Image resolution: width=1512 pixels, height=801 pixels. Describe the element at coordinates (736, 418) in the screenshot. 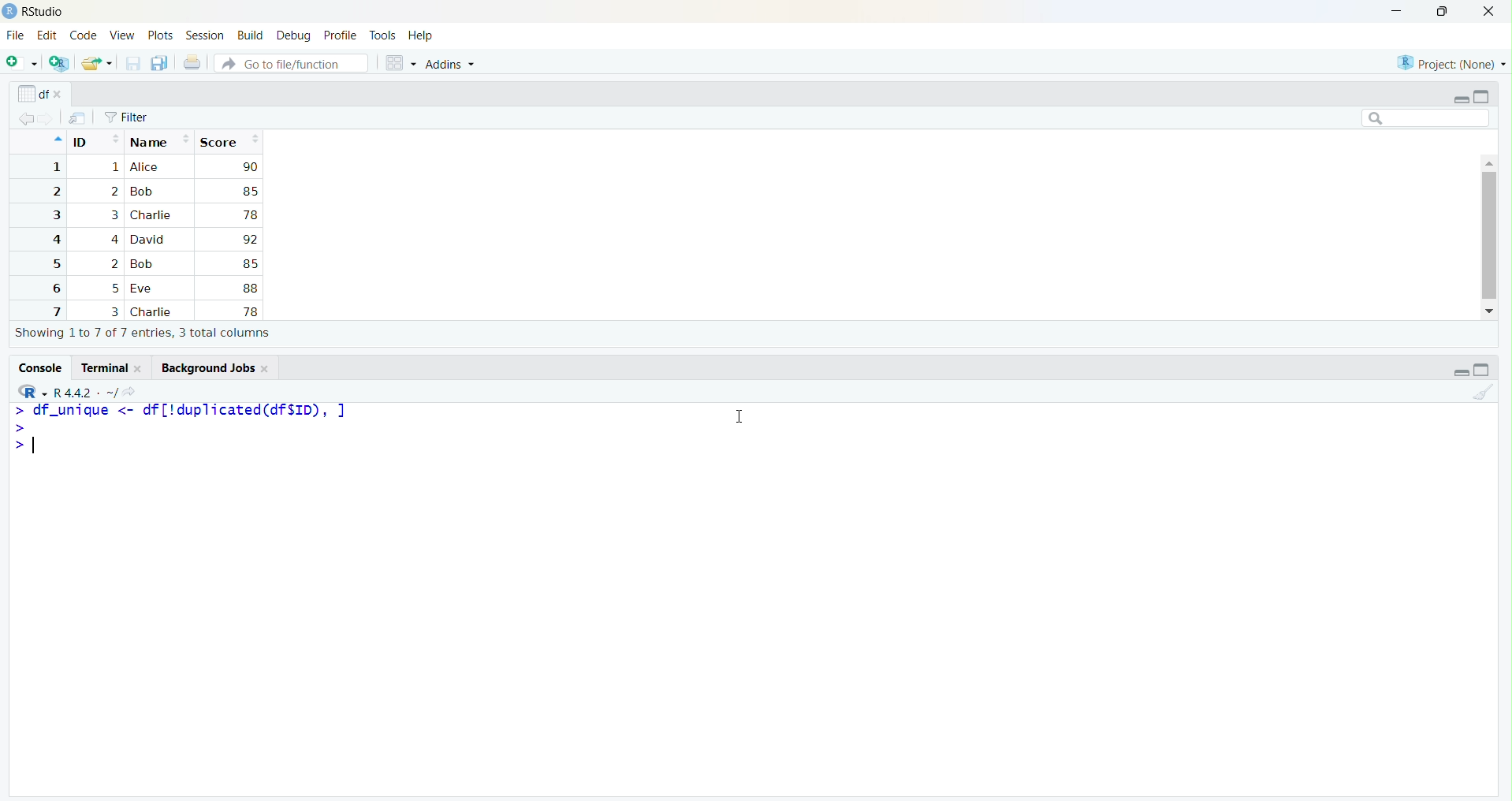

I see `cursor` at that location.